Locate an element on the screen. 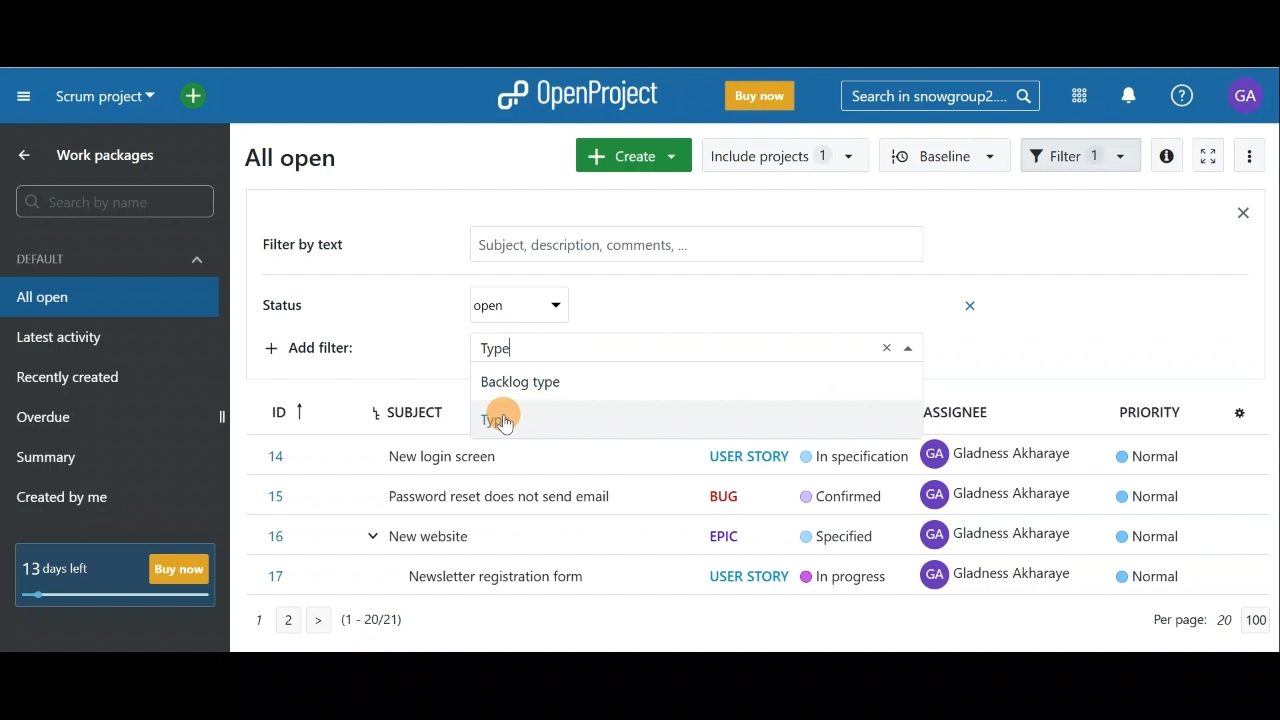  Activate zen mode is located at coordinates (1206, 157).